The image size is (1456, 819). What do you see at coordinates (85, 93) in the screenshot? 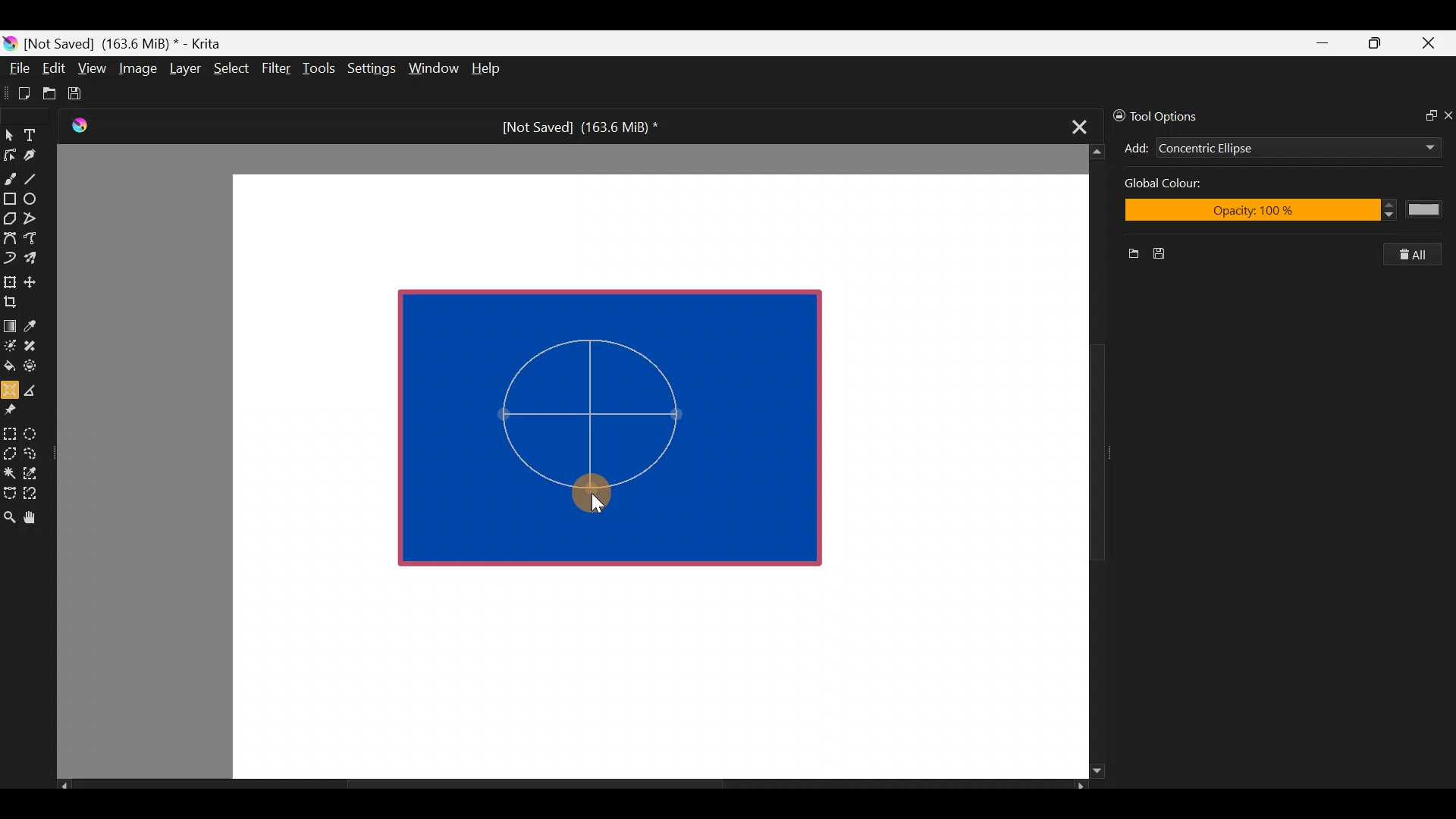
I see `Save` at bounding box center [85, 93].